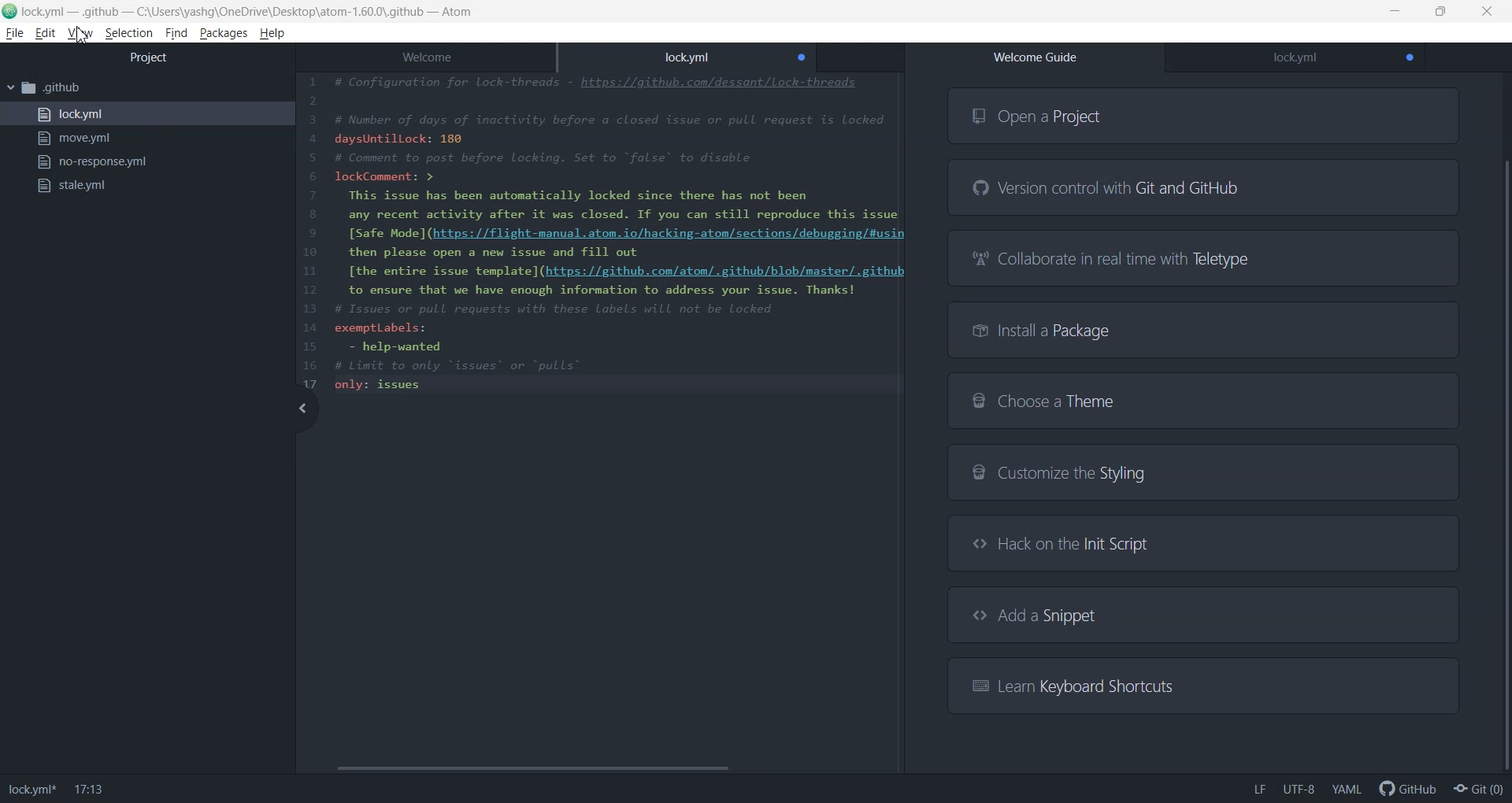 This screenshot has height=803, width=1512. I want to click on Github, so click(1405, 788).